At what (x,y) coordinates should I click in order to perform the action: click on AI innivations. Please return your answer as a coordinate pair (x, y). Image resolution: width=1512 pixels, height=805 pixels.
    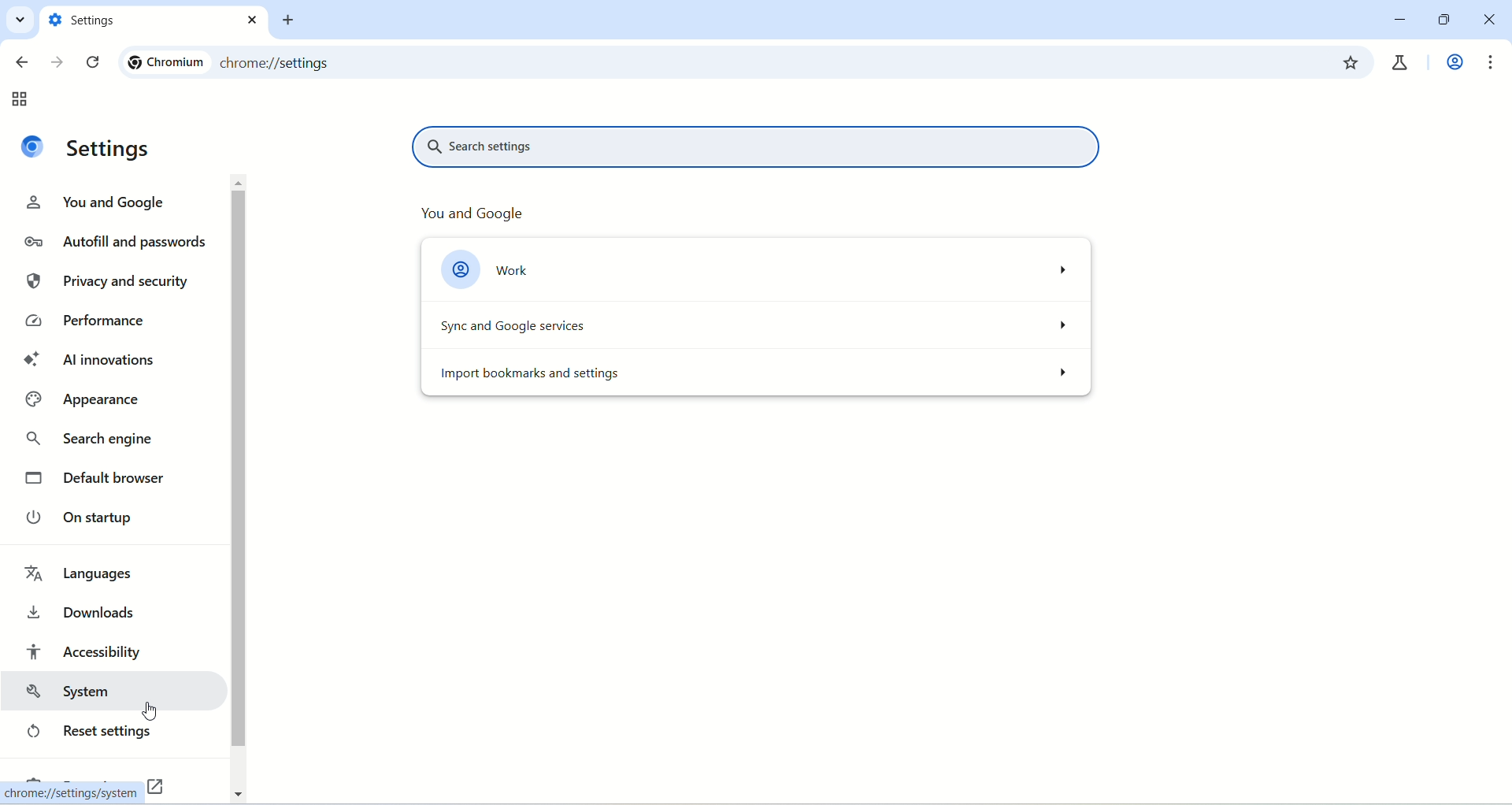
    Looking at the image, I should click on (89, 362).